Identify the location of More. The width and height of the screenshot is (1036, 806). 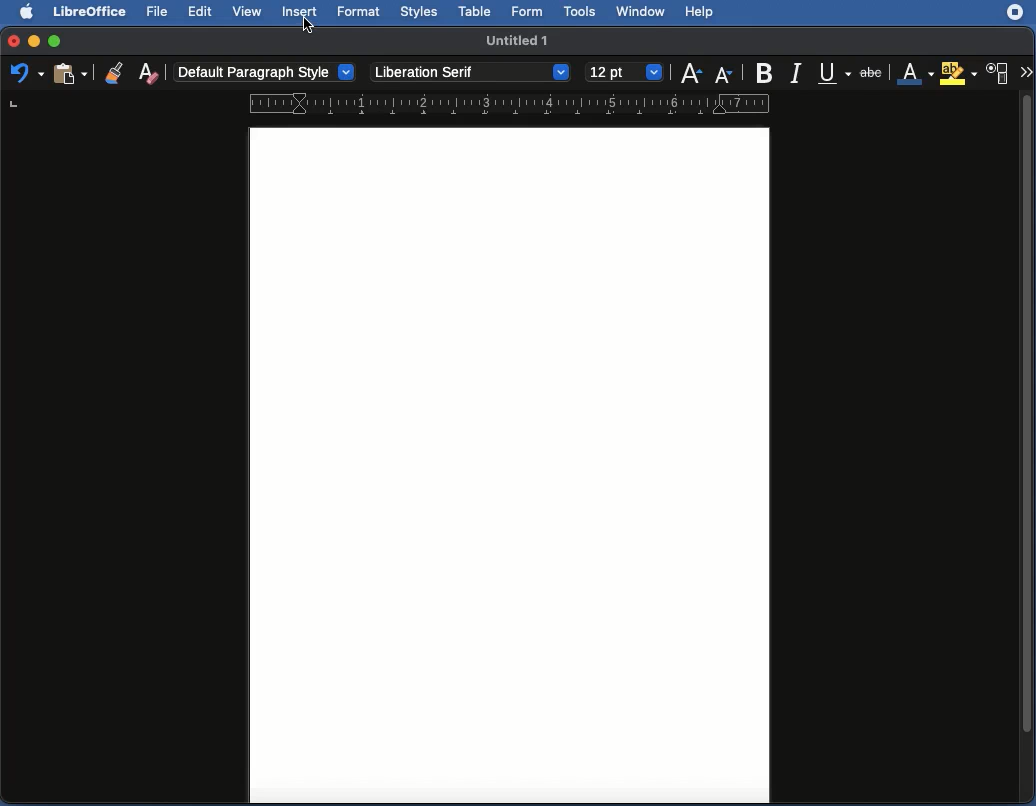
(1025, 73).